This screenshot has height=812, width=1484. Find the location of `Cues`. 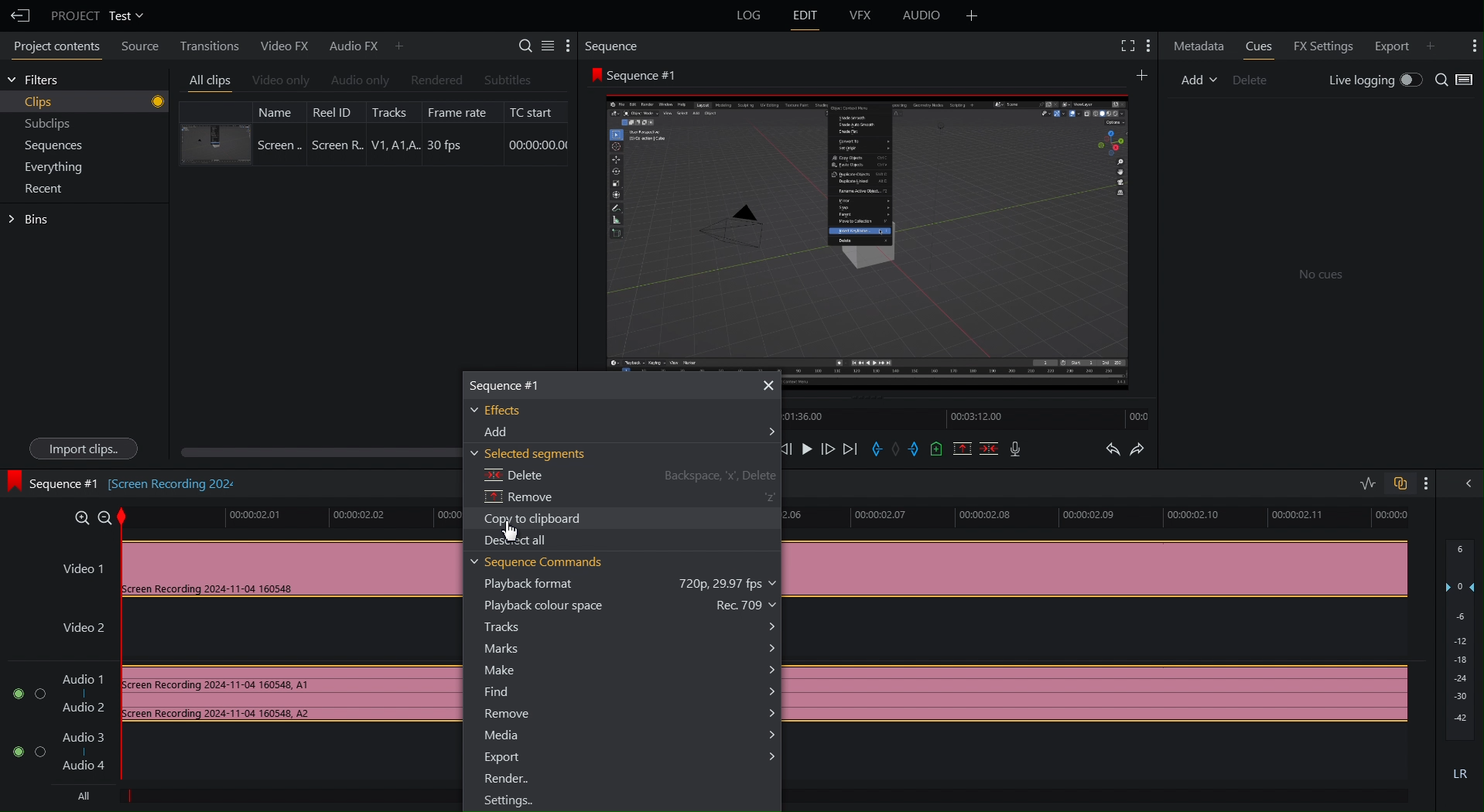

Cues is located at coordinates (1258, 47).